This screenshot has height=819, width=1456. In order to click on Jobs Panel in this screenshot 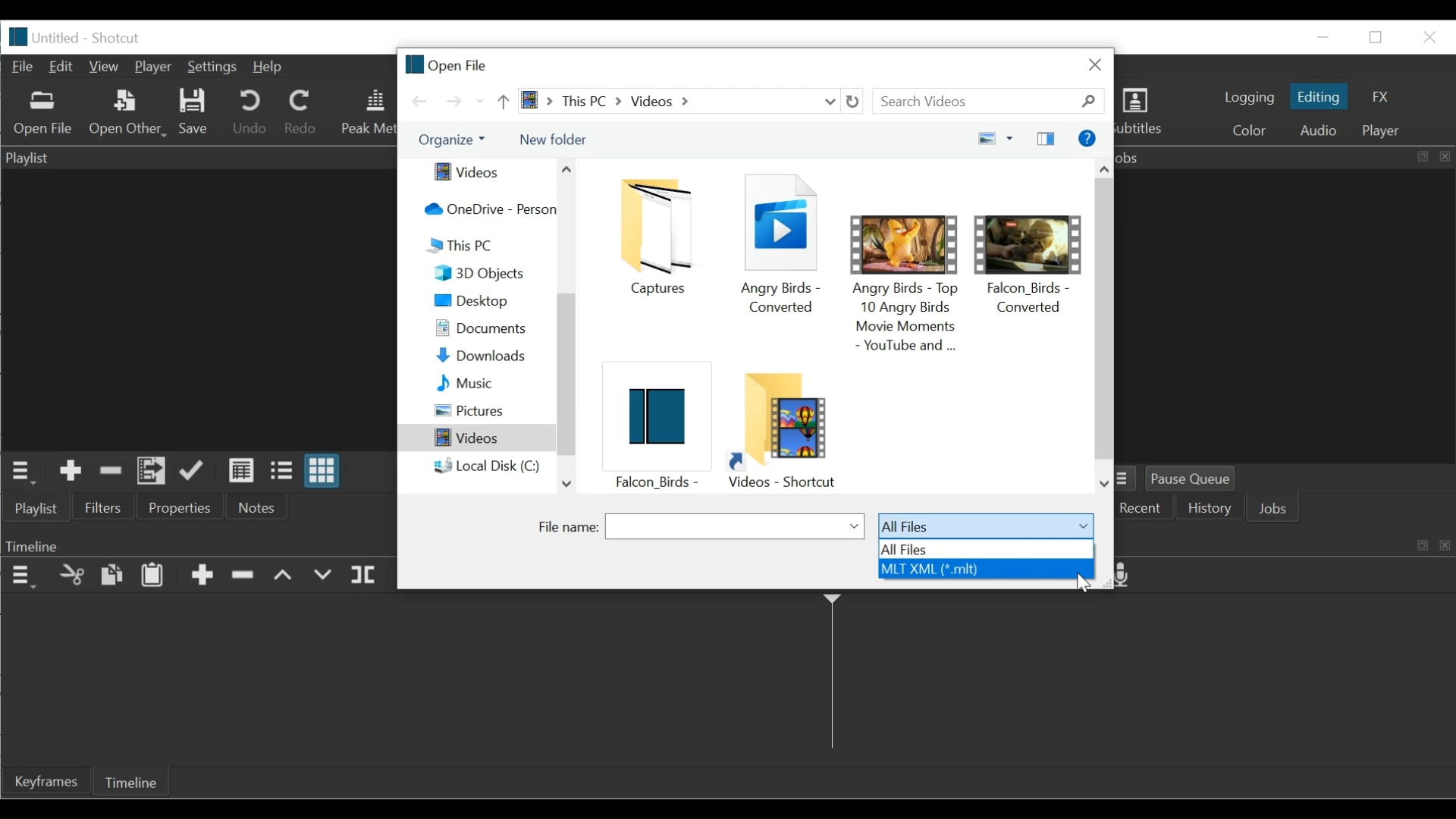, I will do `click(1289, 316)`.